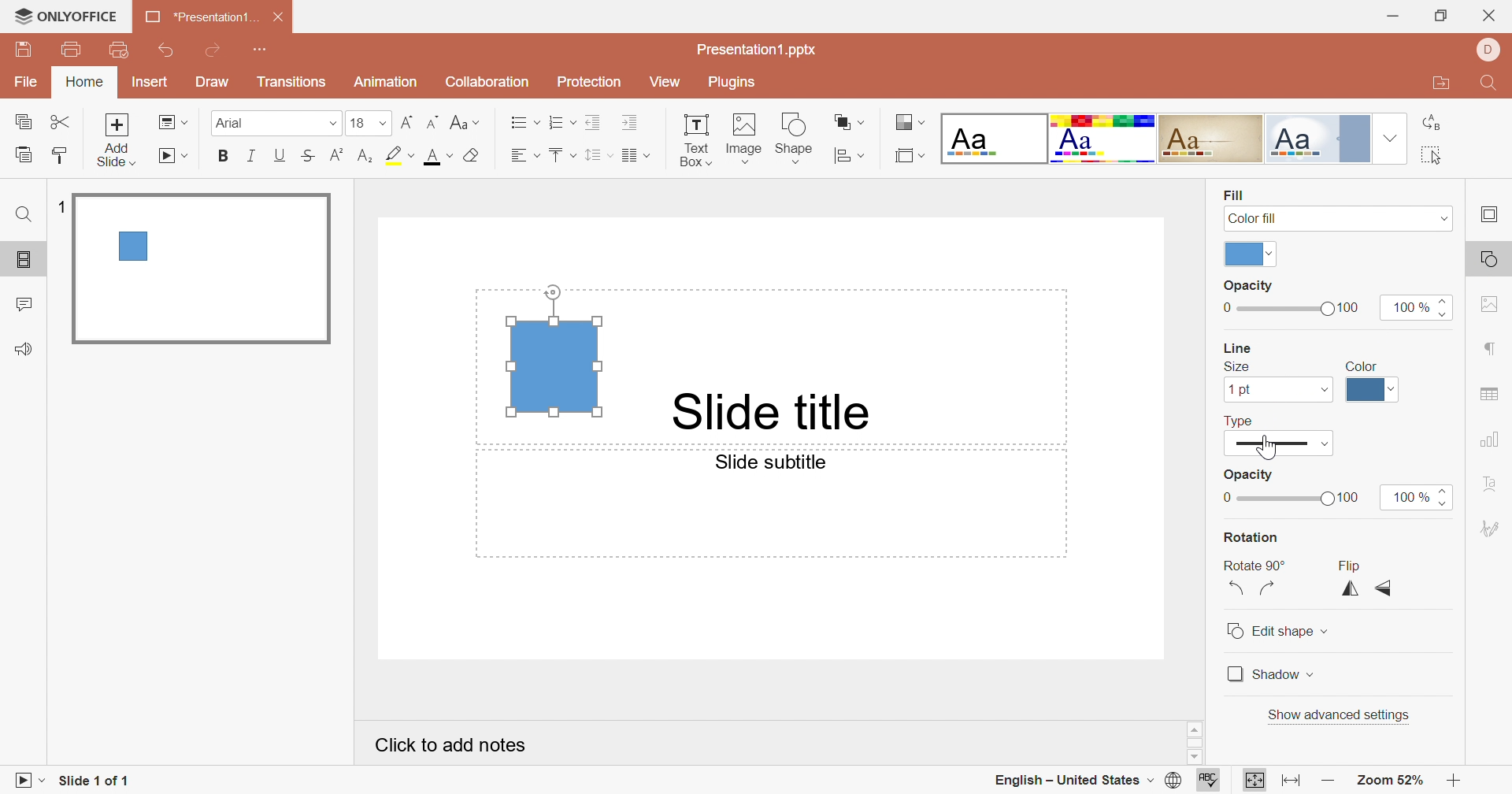 This screenshot has height=794, width=1512. What do you see at coordinates (389, 80) in the screenshot?
I see `Animation` at bounding box center [389, 80].